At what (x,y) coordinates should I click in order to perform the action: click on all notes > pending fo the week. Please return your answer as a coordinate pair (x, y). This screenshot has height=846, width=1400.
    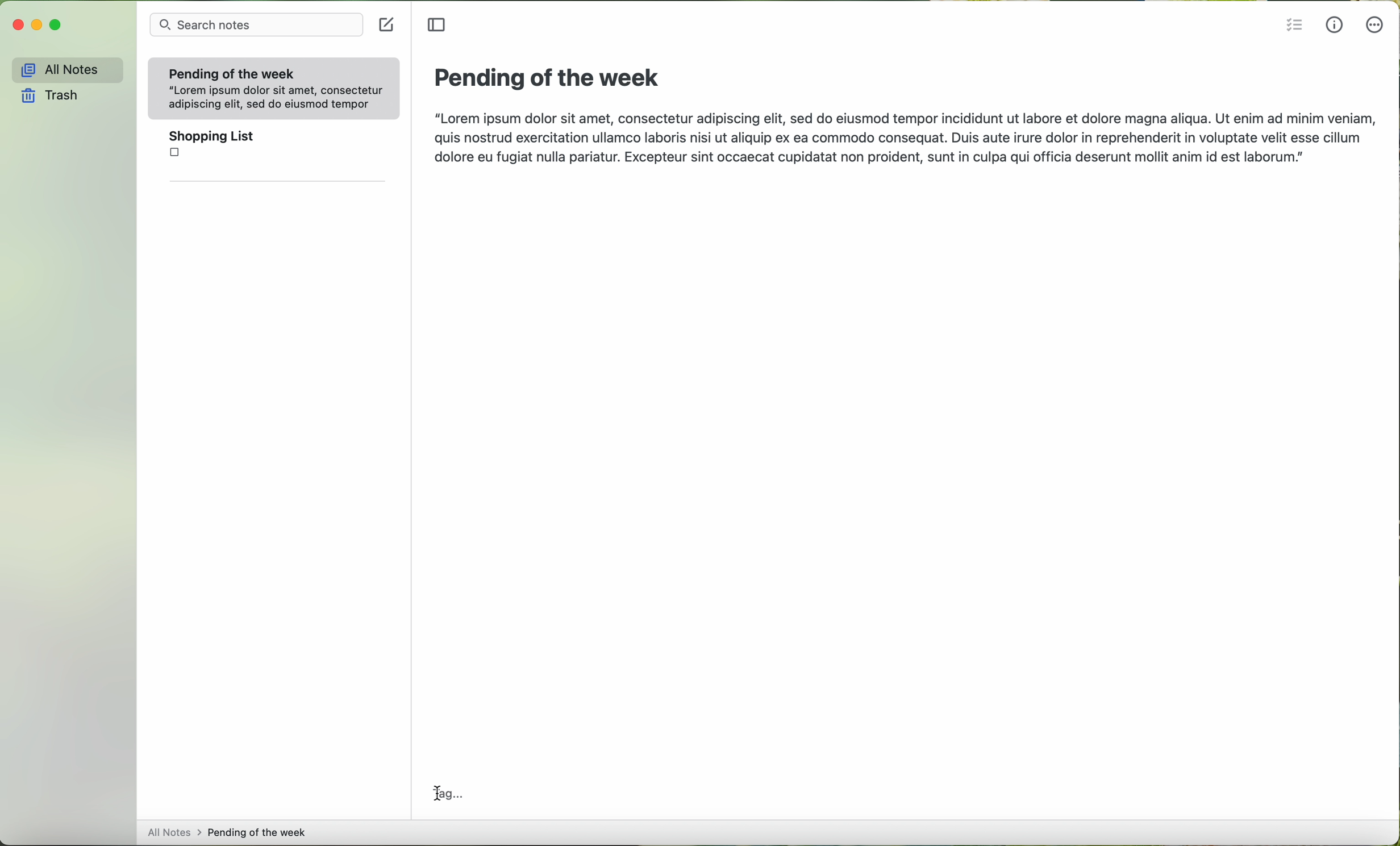
    Looking at the image, I should click on (229, 830).